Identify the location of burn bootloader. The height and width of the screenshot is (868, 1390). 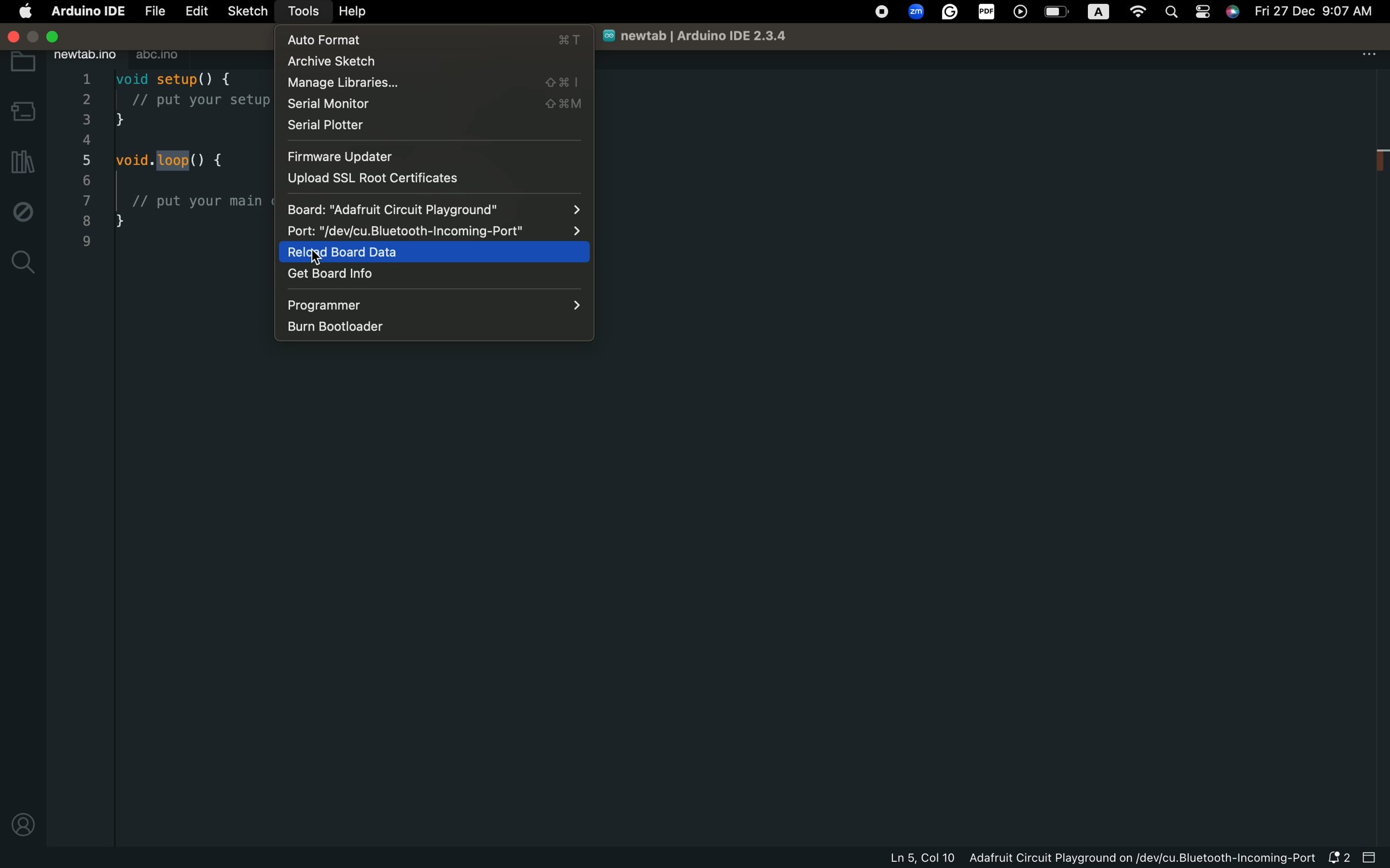
(346, 328).